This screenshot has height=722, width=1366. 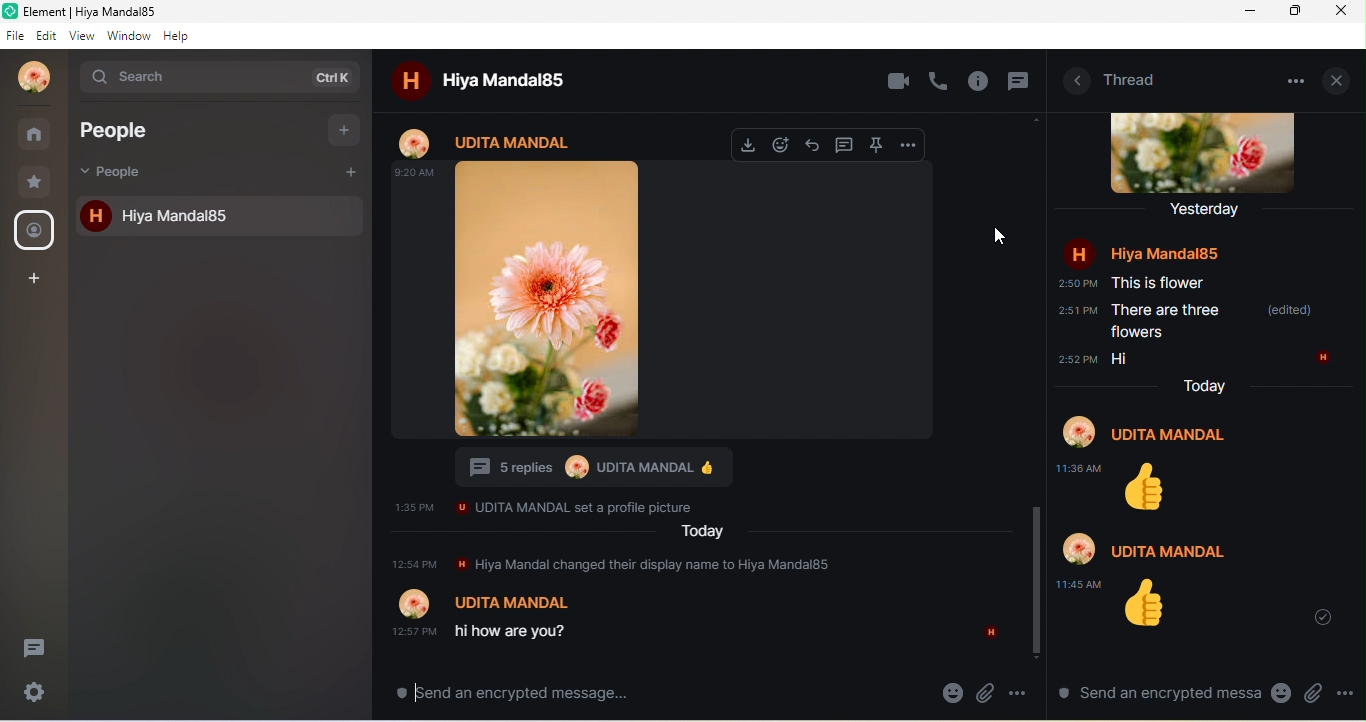 I want to click on help, so click(x=183, y=36).